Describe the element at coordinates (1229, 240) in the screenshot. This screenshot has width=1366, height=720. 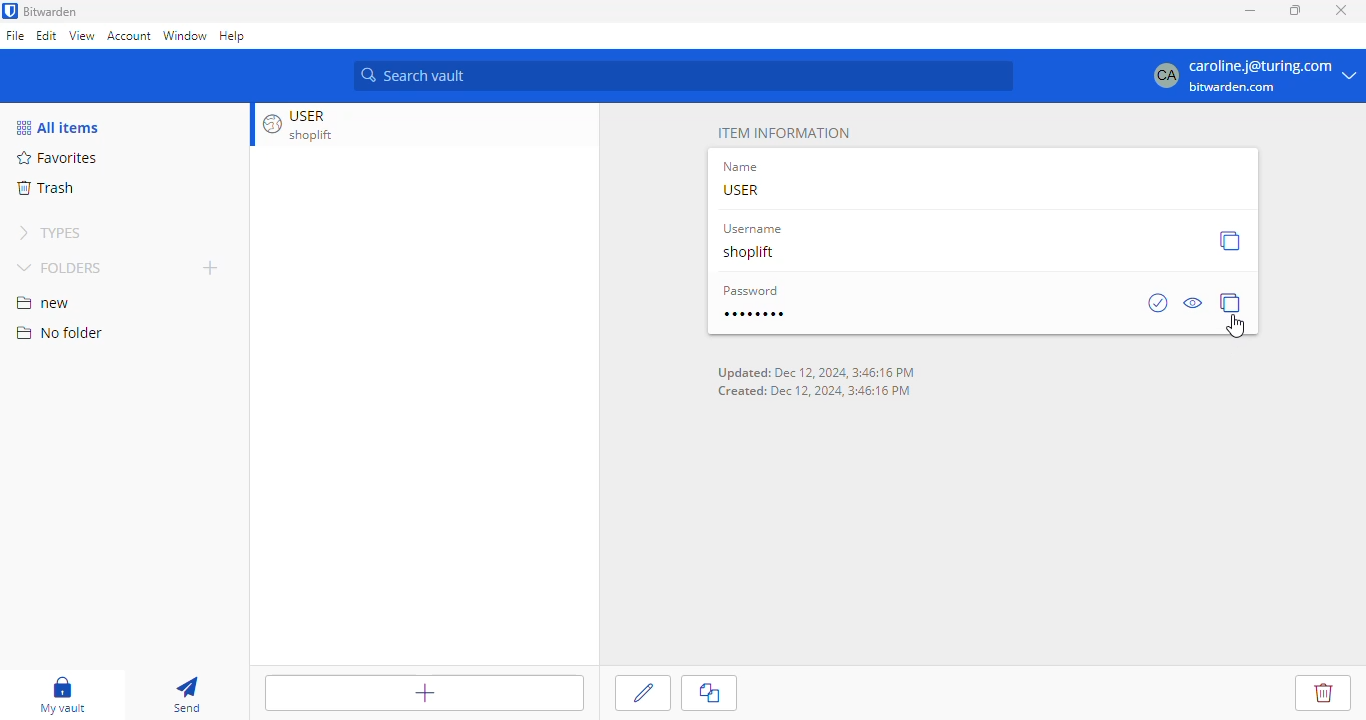
I see `copy username` at that location.